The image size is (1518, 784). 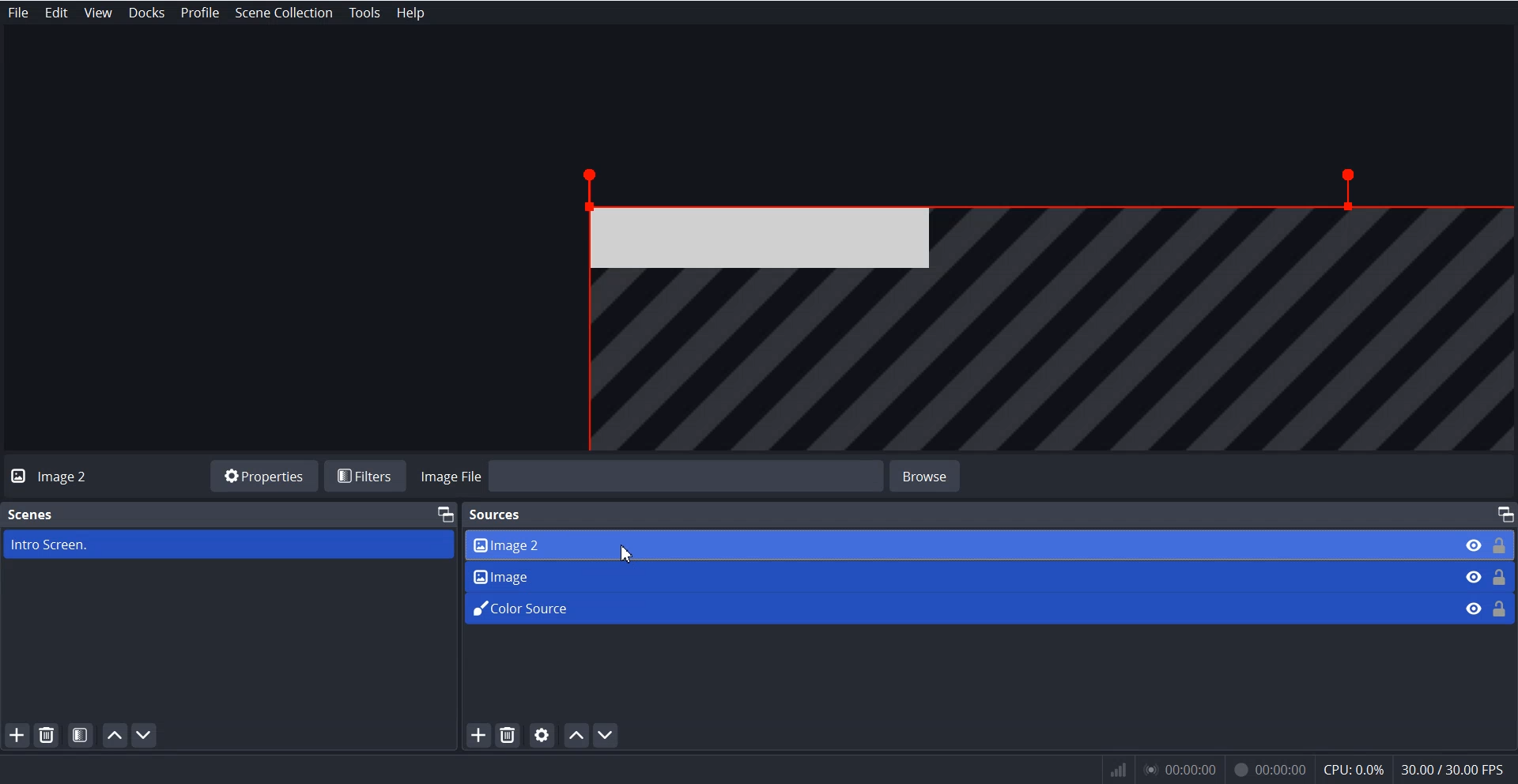 I want to click on Remove Selected Source, so click(x=508, y=736).